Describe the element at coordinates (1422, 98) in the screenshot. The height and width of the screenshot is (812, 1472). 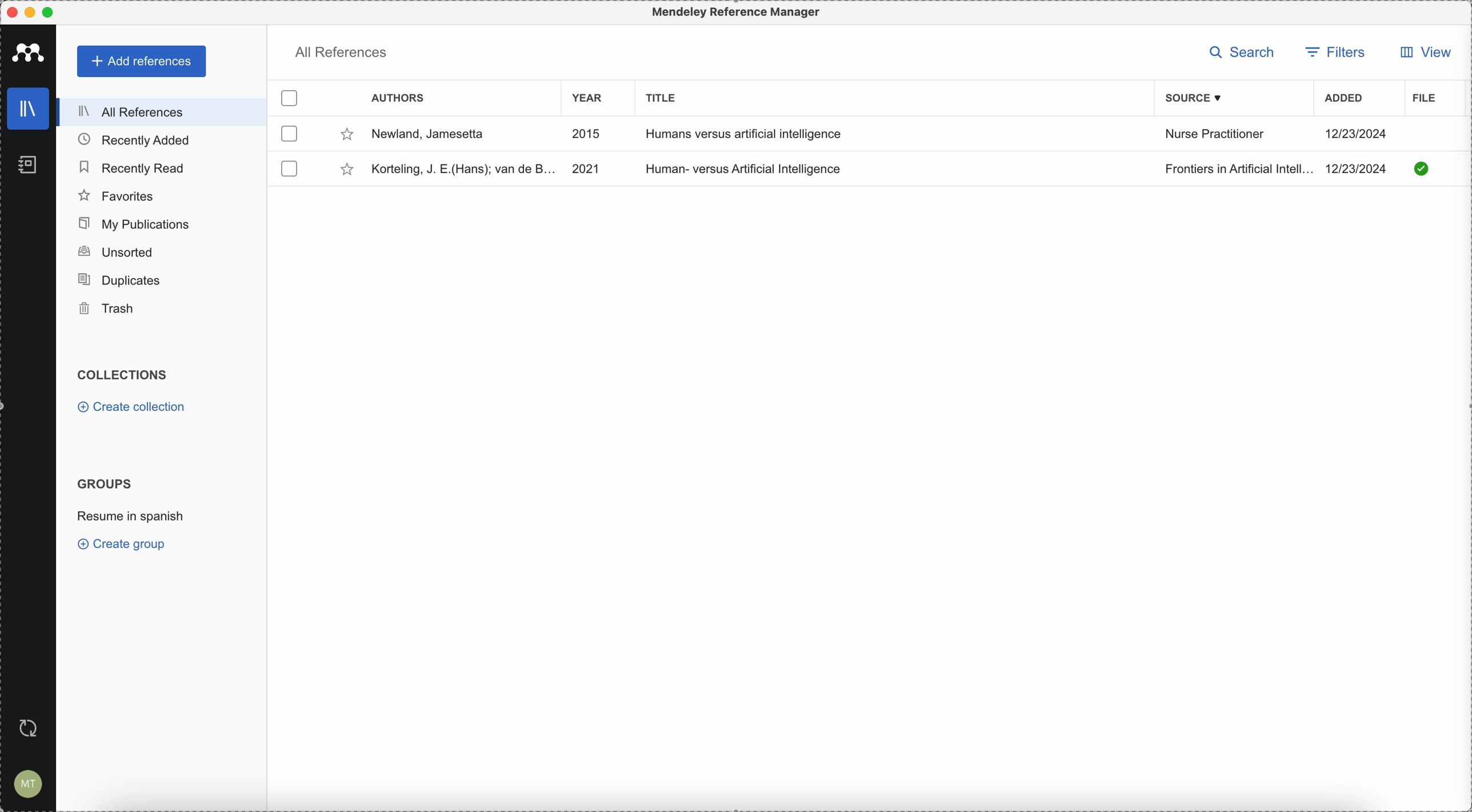
I see `file` at that location.